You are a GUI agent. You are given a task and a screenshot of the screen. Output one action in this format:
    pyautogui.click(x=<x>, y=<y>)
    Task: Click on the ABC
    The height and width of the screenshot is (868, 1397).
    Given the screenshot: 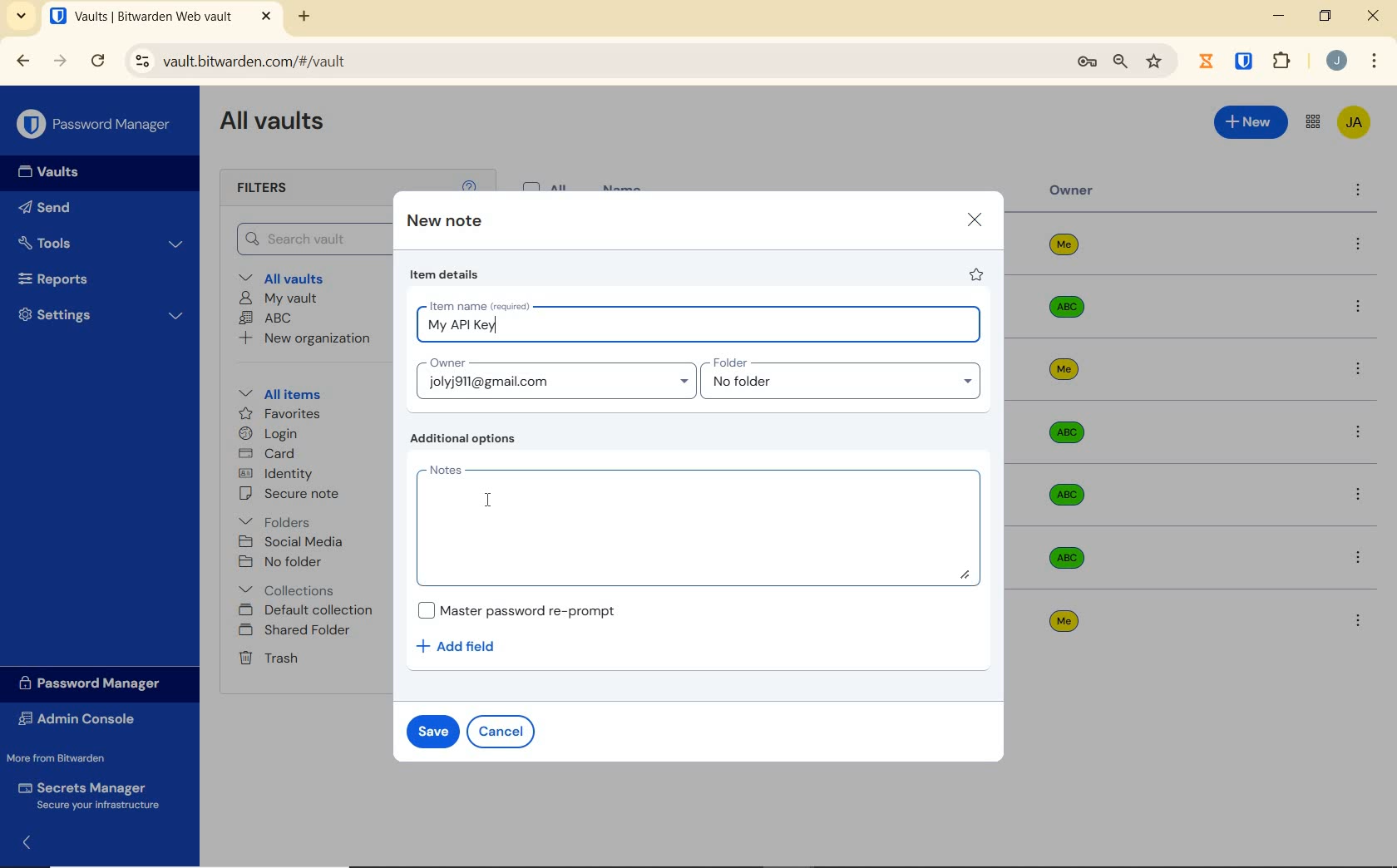 What is the action you would take?
    pyautogui.click(x=269, y=319)
    